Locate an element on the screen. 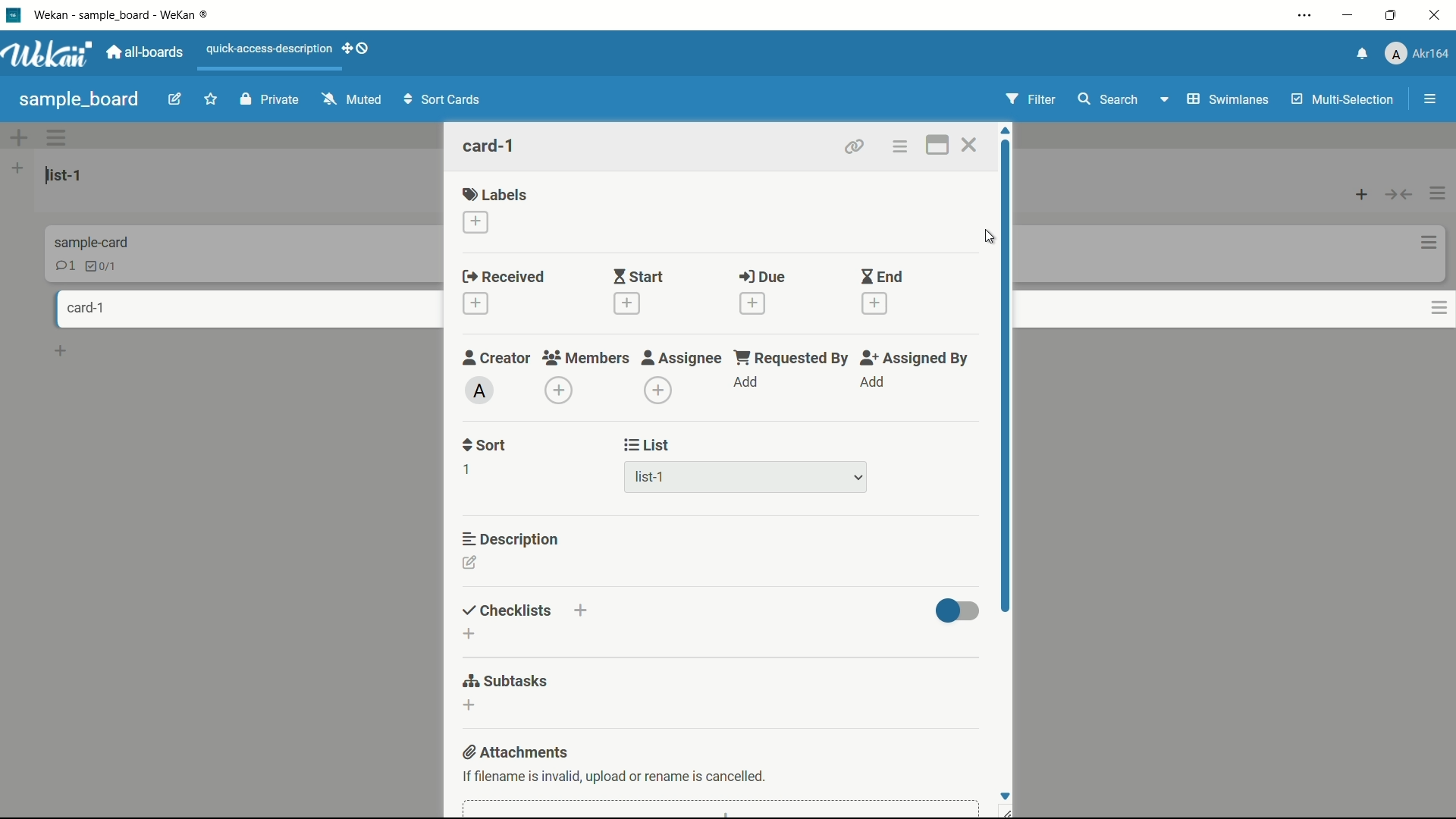 This screenshot has height=819, width=1456. scroll bar is located at coordinates (1005, 369).